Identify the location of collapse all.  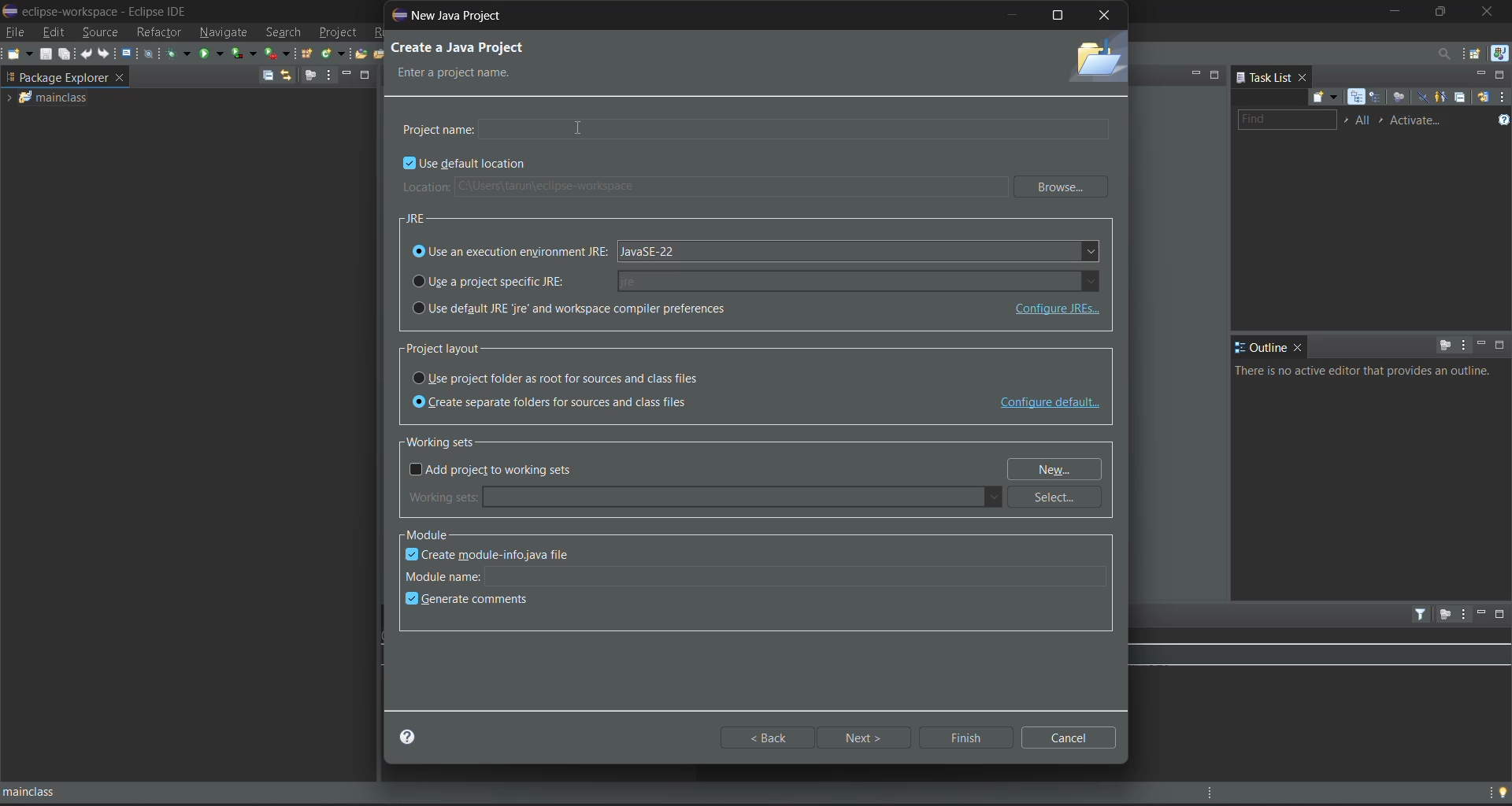
(1462, 98).